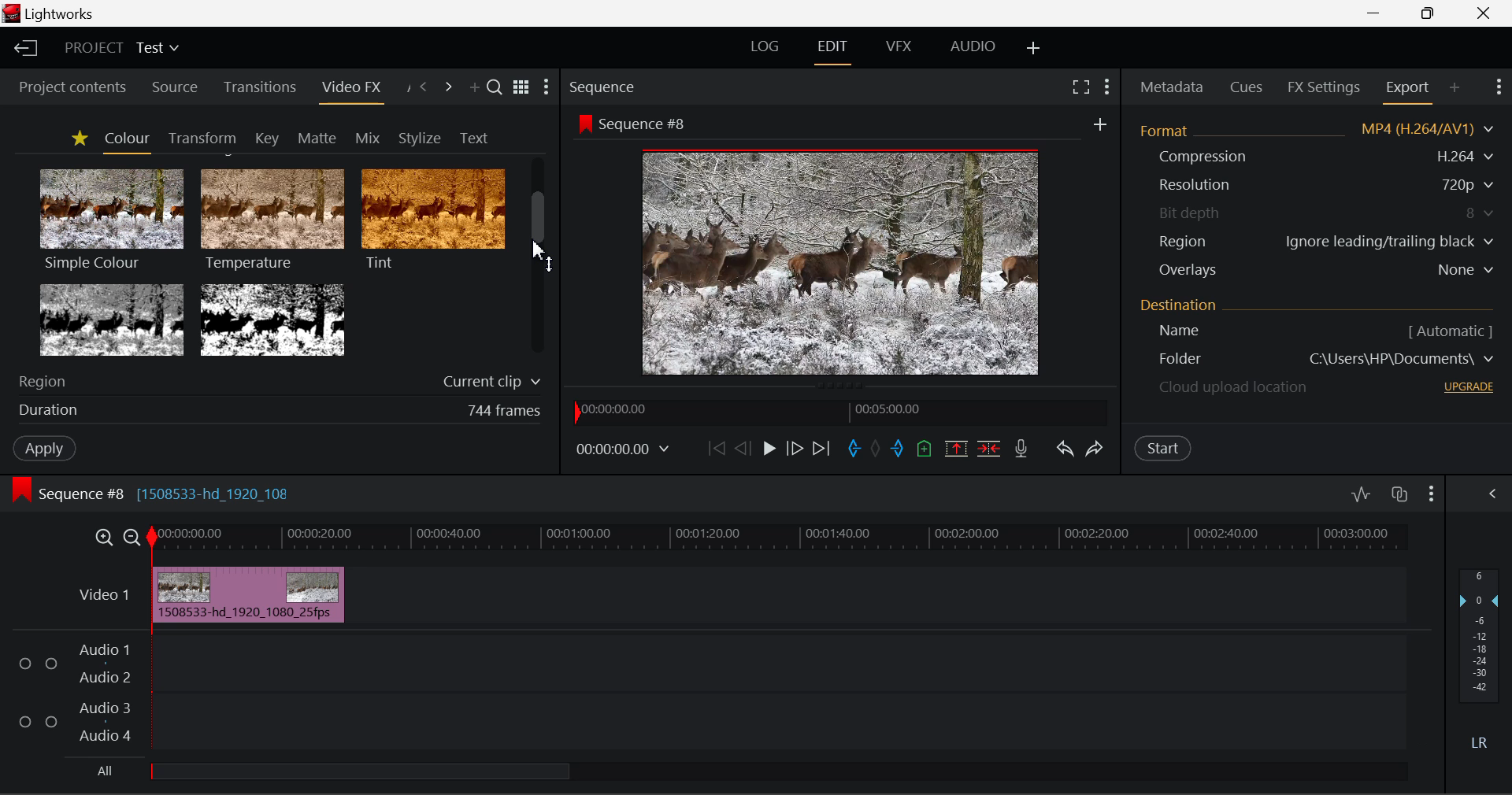 Image resolution: width=1512 pixels, height=795 pixels. Describe the element at coordinates (52, 663) in the screenshot. I see `Checkbox` at that location.